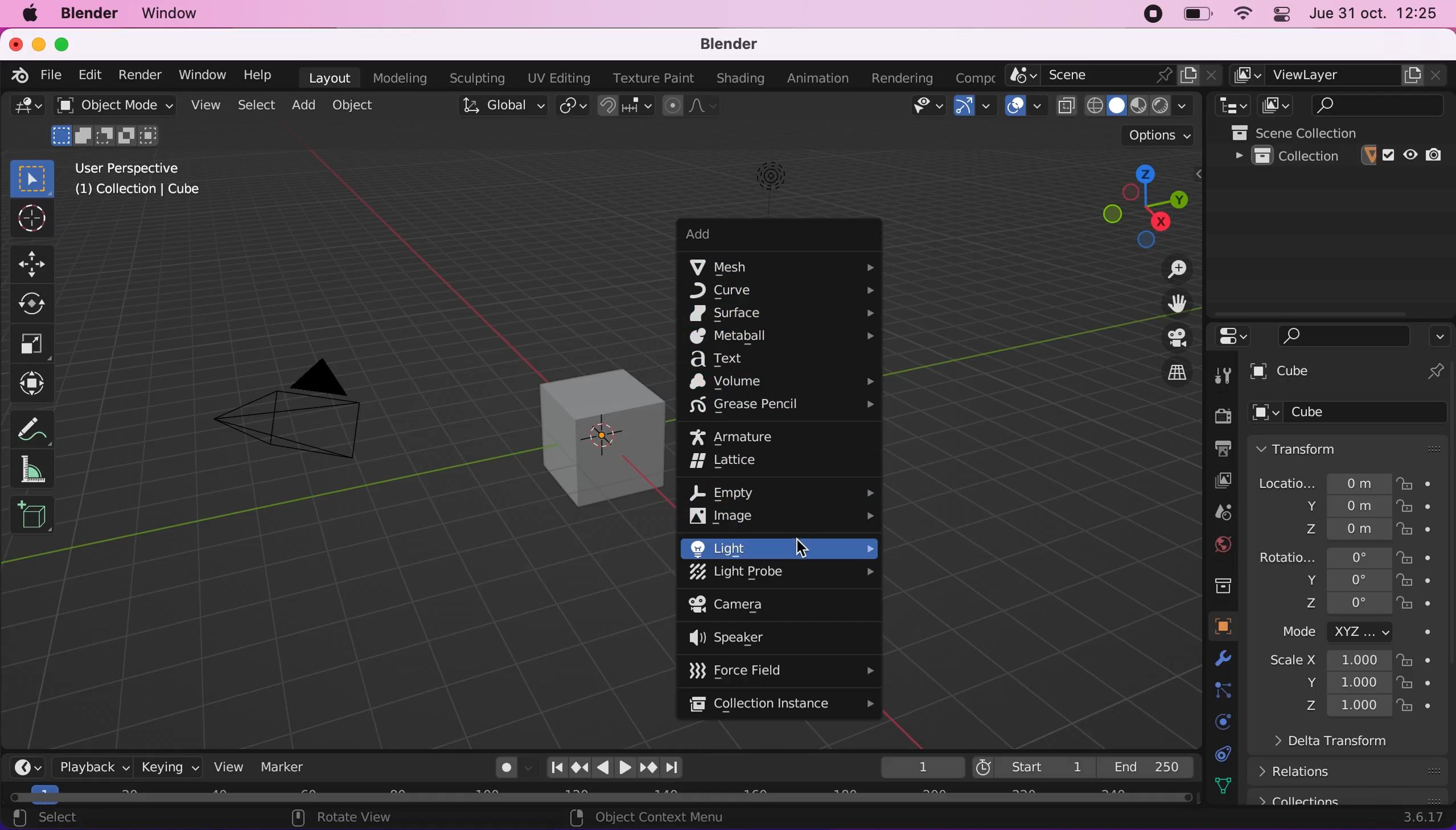 The height and width of the screenshot is (830, 1456). Describe the element at coordinates (1229, 336) in the screenshot. I see `editor type` at that location.